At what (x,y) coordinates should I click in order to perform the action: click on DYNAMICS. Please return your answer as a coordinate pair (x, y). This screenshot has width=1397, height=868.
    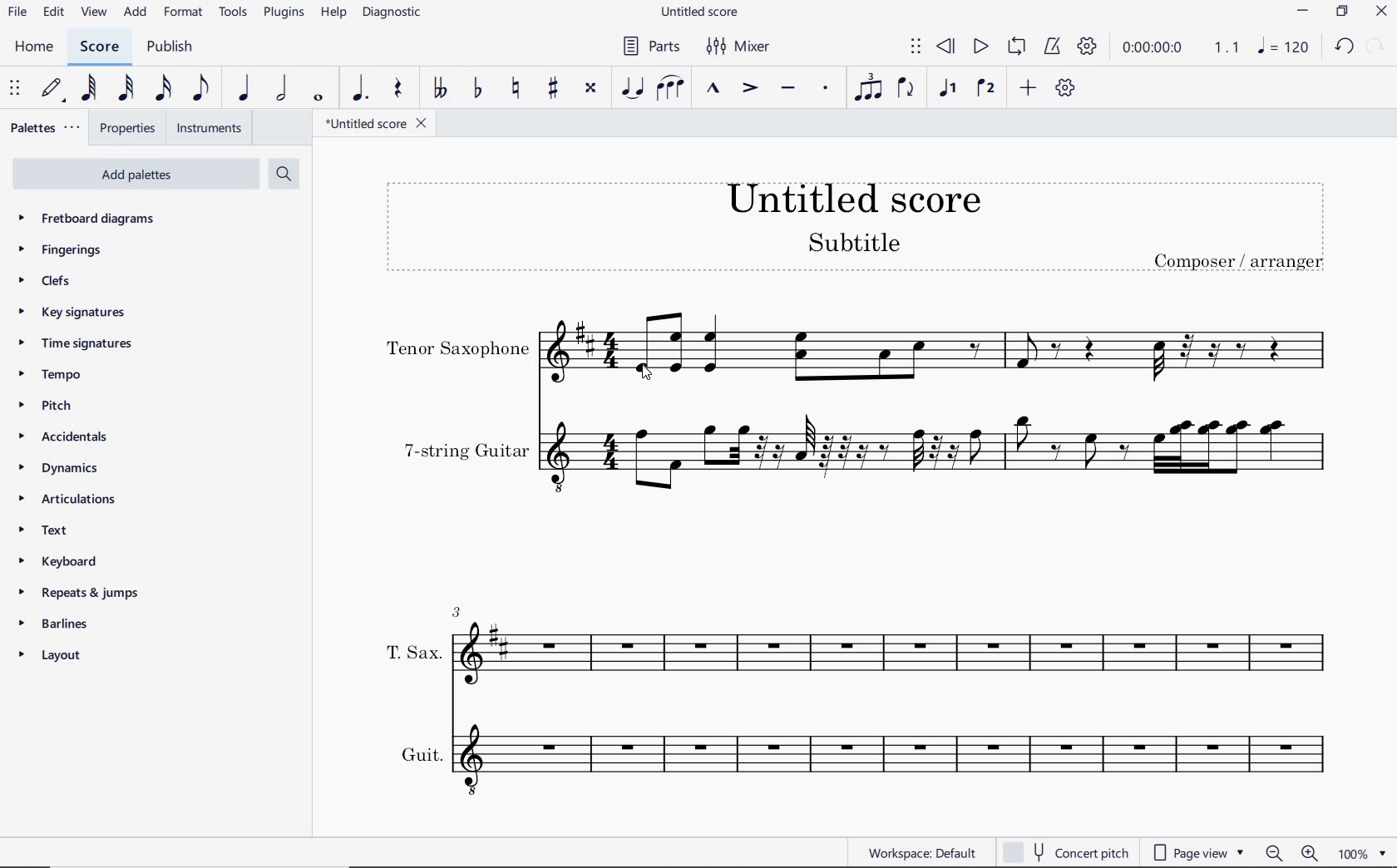
    Looking at the image, I should click on (55, 468).